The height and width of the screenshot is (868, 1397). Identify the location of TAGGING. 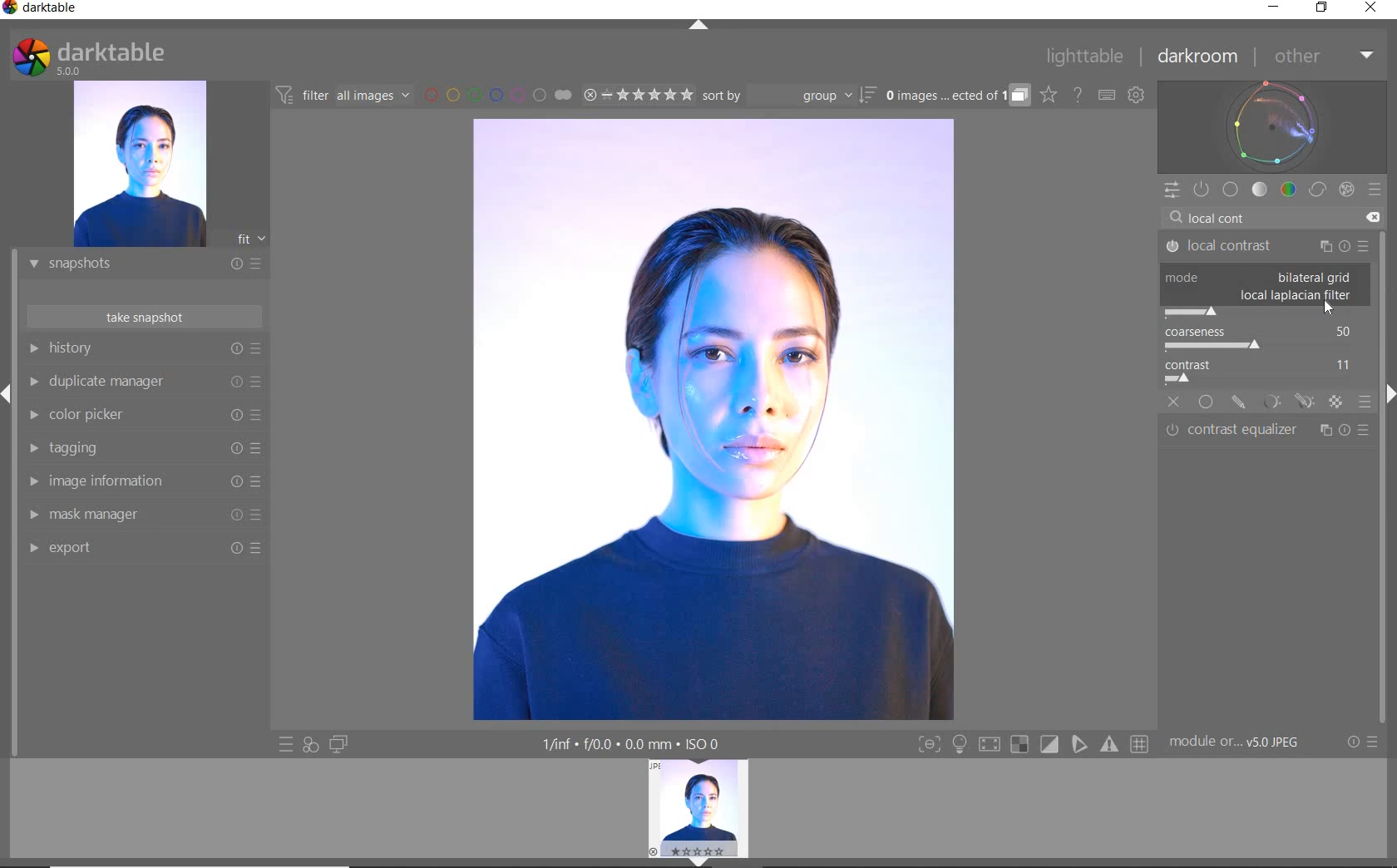
(141, 449).